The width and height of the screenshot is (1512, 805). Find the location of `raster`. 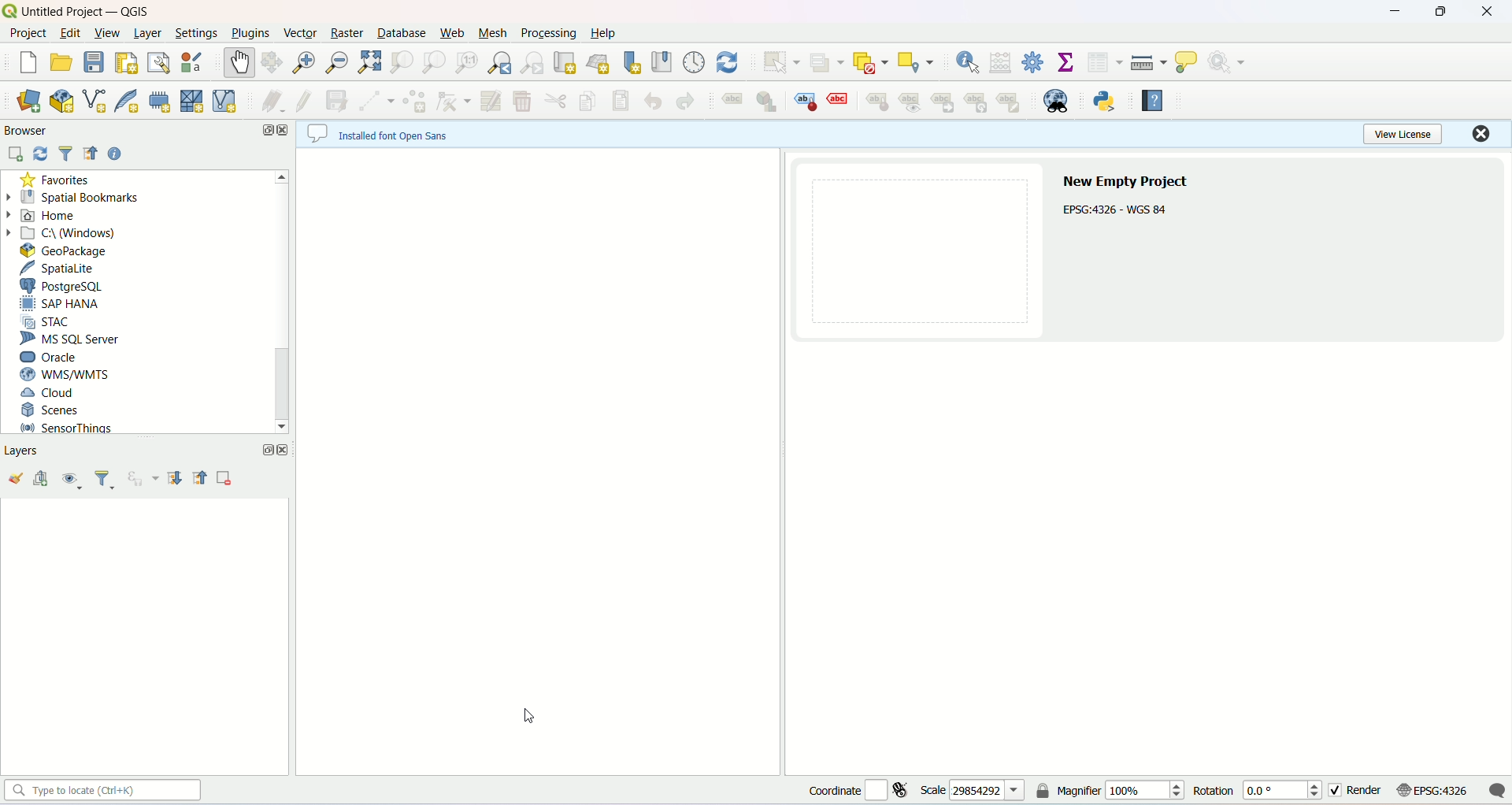

raster is located at coordinates (346, 33).